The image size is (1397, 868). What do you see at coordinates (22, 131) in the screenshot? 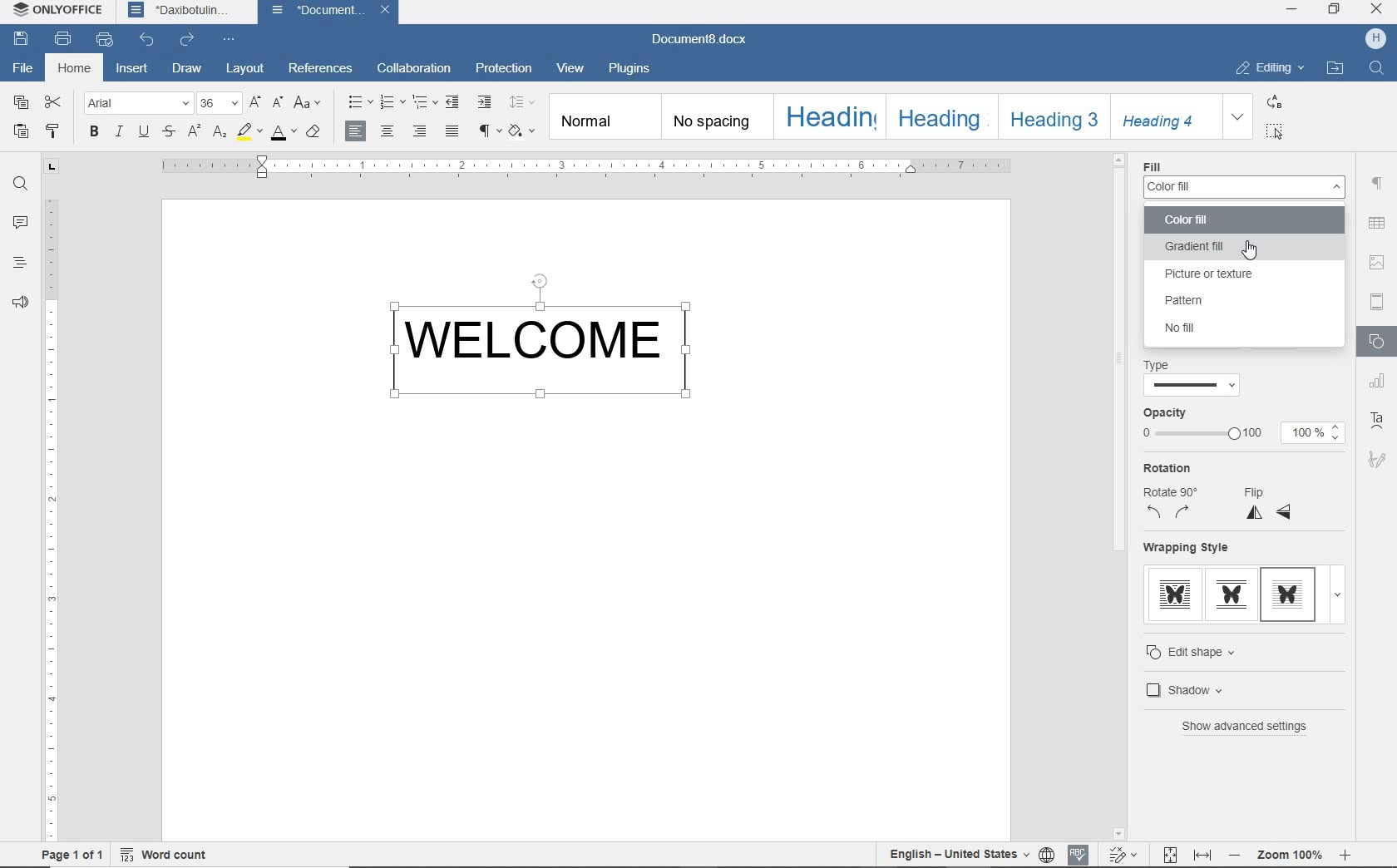
I see `PASTE` at bounding box center [22, 131].